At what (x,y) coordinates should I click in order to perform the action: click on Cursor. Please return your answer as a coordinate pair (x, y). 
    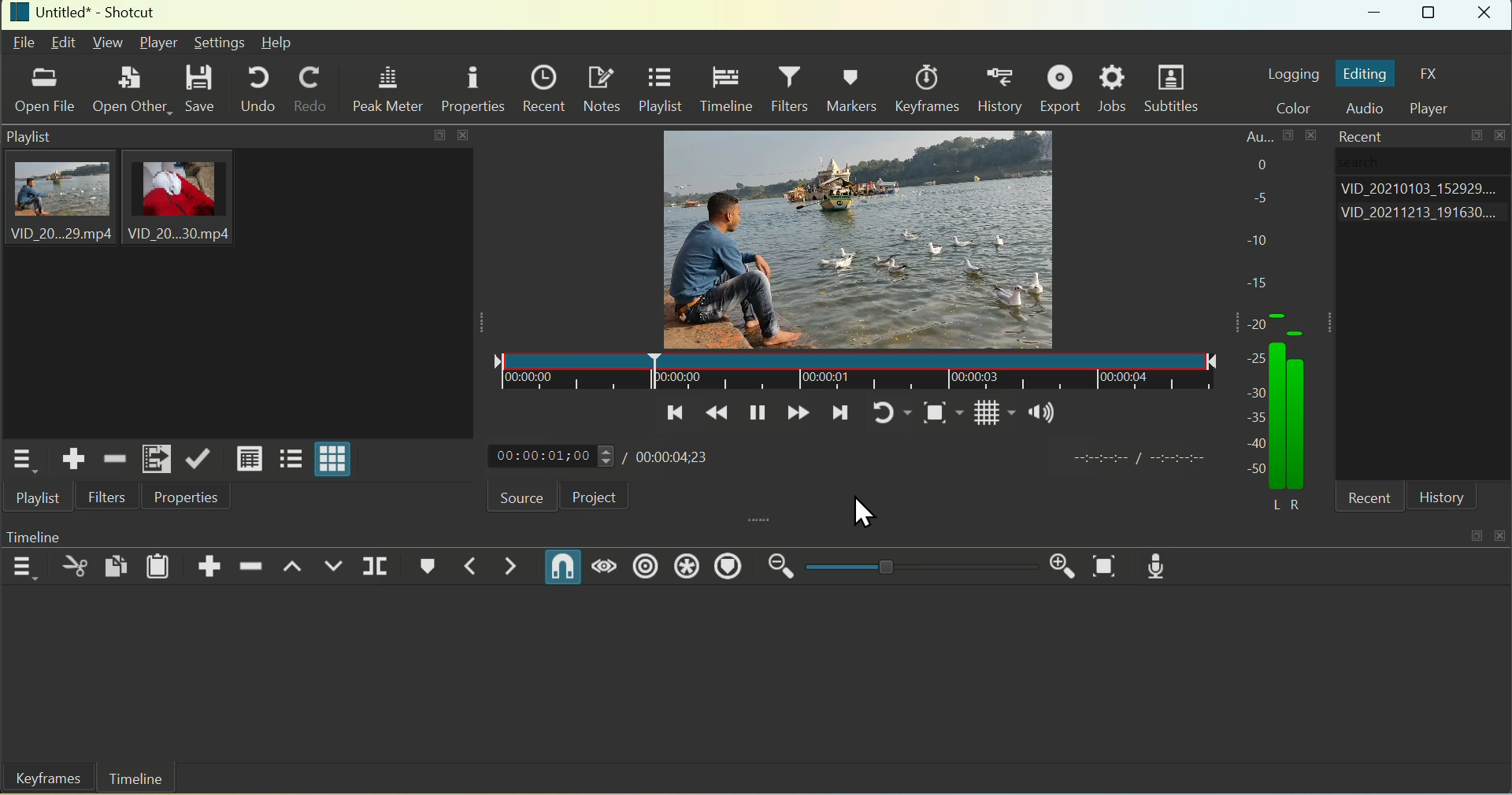
    Looking at the image, I should click on (865, 512).